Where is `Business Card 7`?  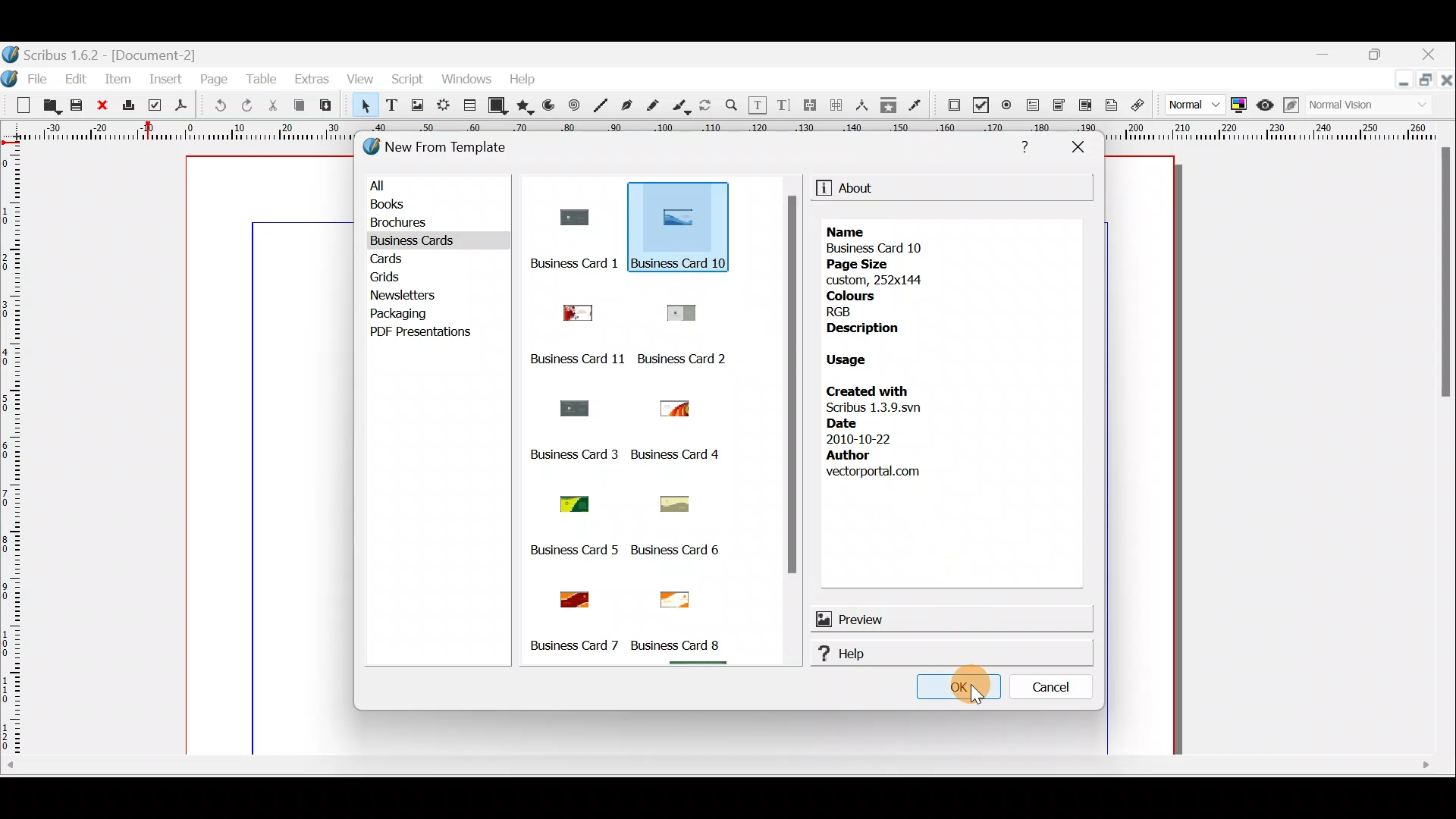 Business Card 7 is located at coordinates (573, 646).